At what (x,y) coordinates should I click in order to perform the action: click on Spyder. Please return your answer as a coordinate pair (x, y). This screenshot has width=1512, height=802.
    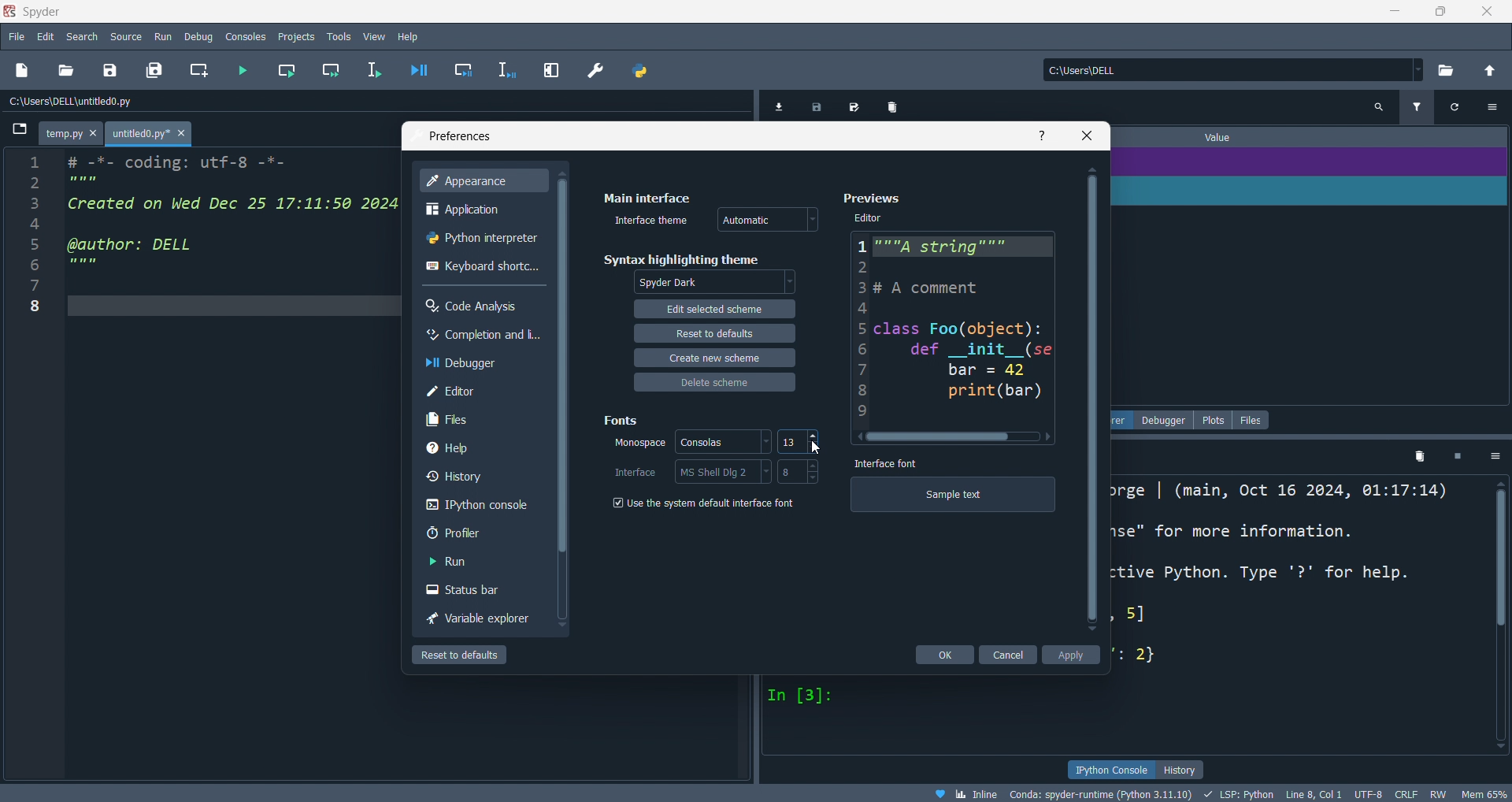
    Looking at the image, I should click on (682, 10).